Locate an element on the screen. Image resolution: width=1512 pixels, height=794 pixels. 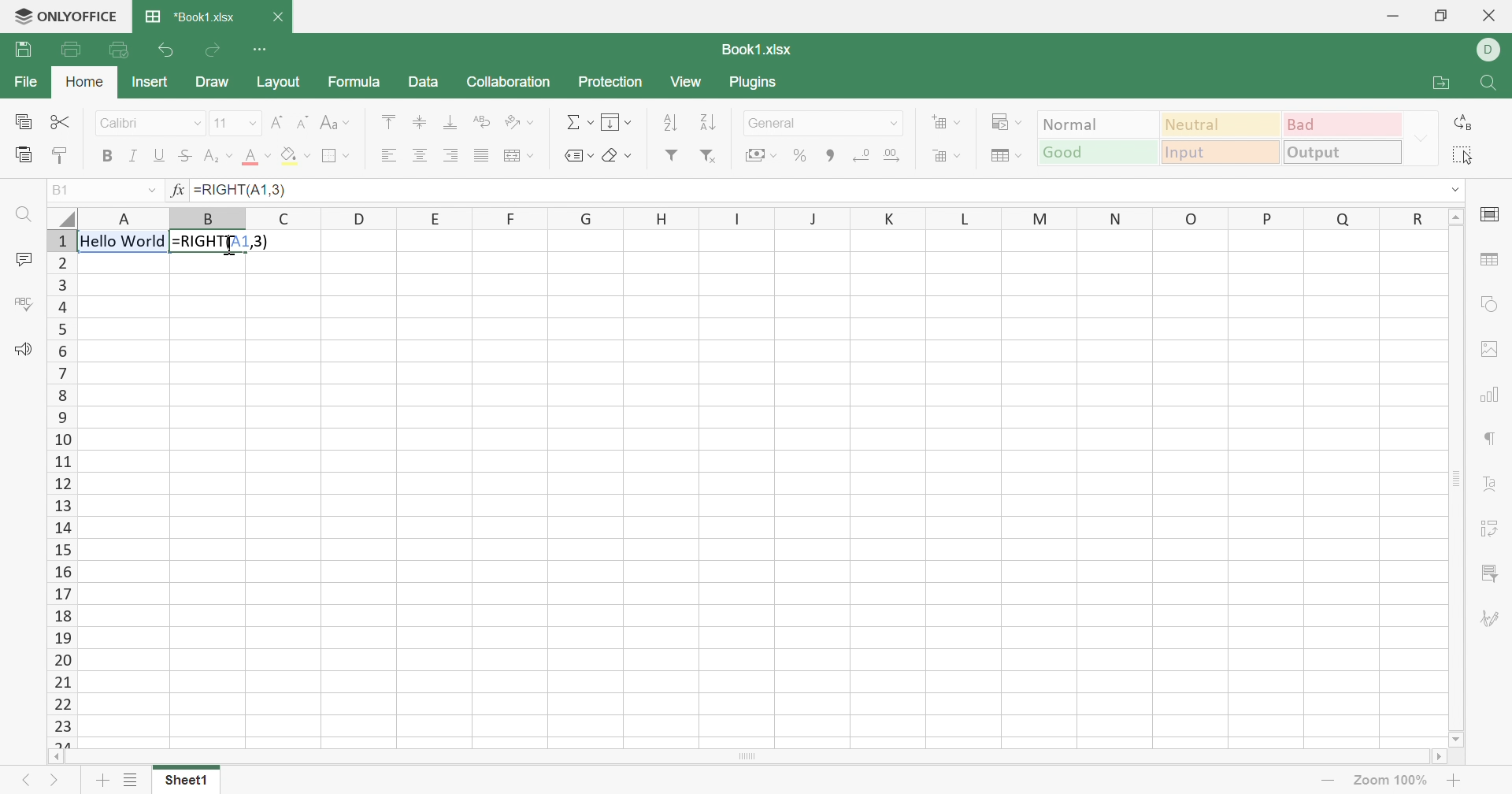
Copy style is located at coordinates (60, 153).